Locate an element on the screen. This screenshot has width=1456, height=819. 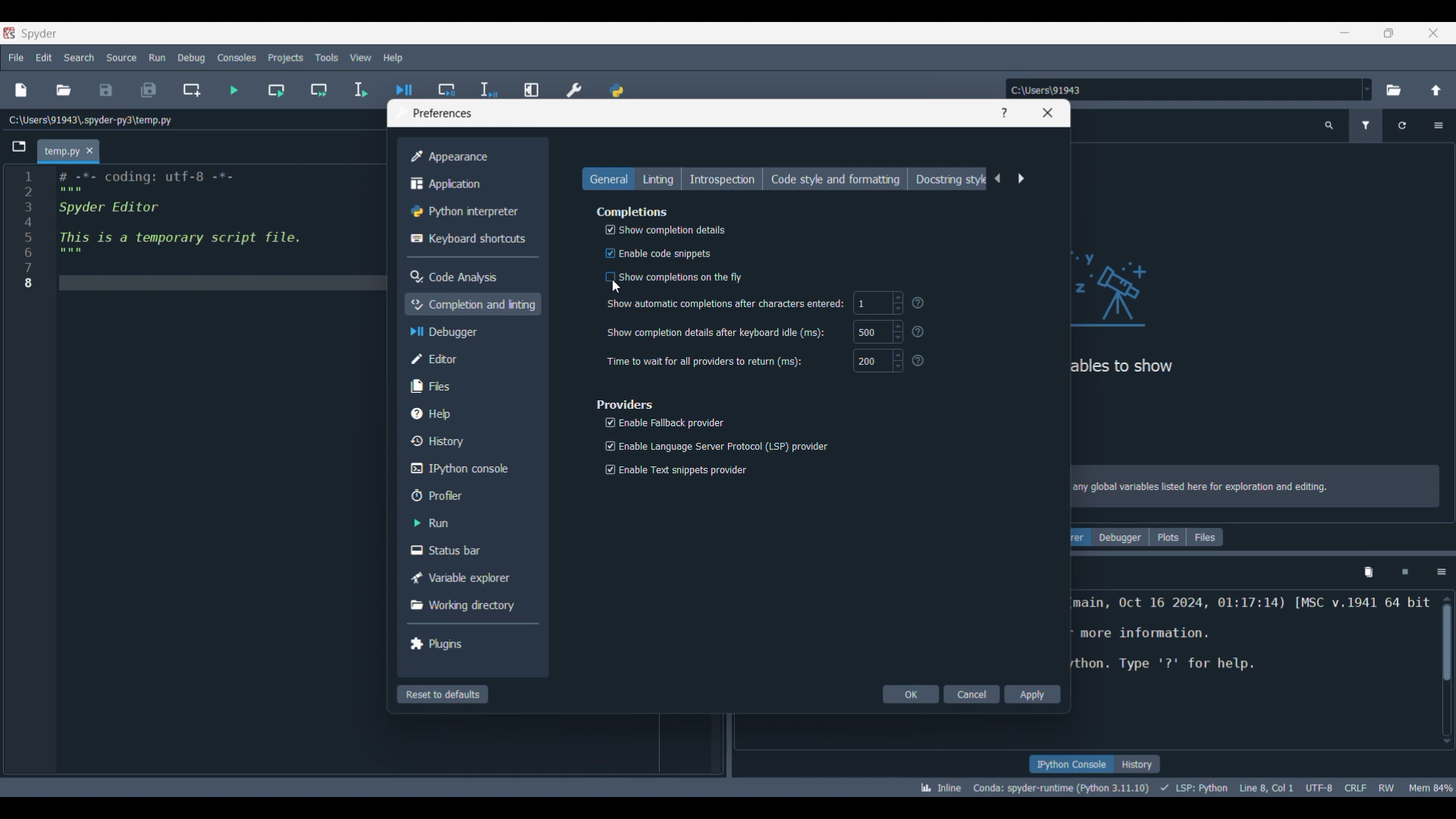
Completion and linting, current selection highlighted is located at coordinates (472, 304).